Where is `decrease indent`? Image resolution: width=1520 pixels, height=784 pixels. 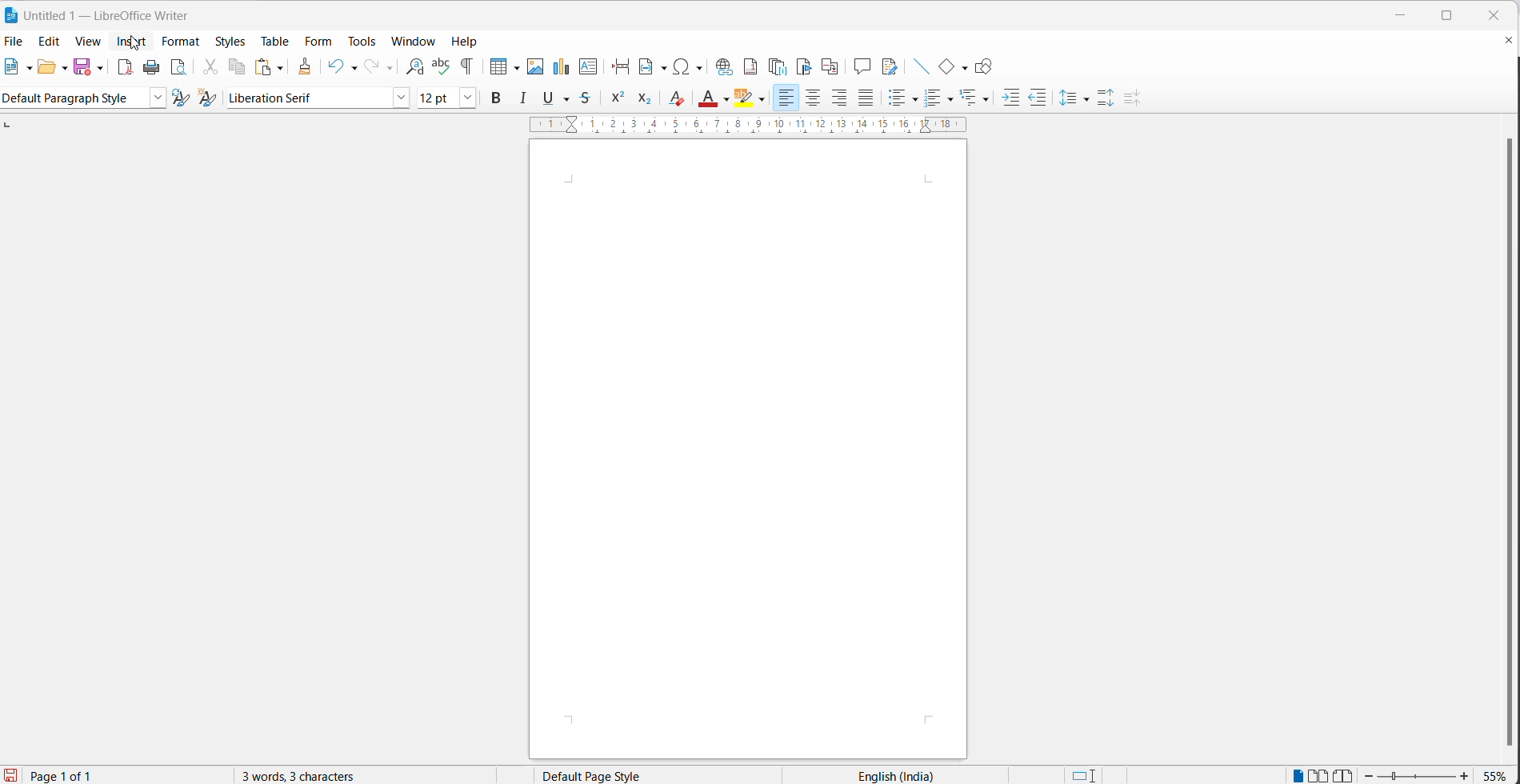
decrease indent is located at coordinates (1040, 98).